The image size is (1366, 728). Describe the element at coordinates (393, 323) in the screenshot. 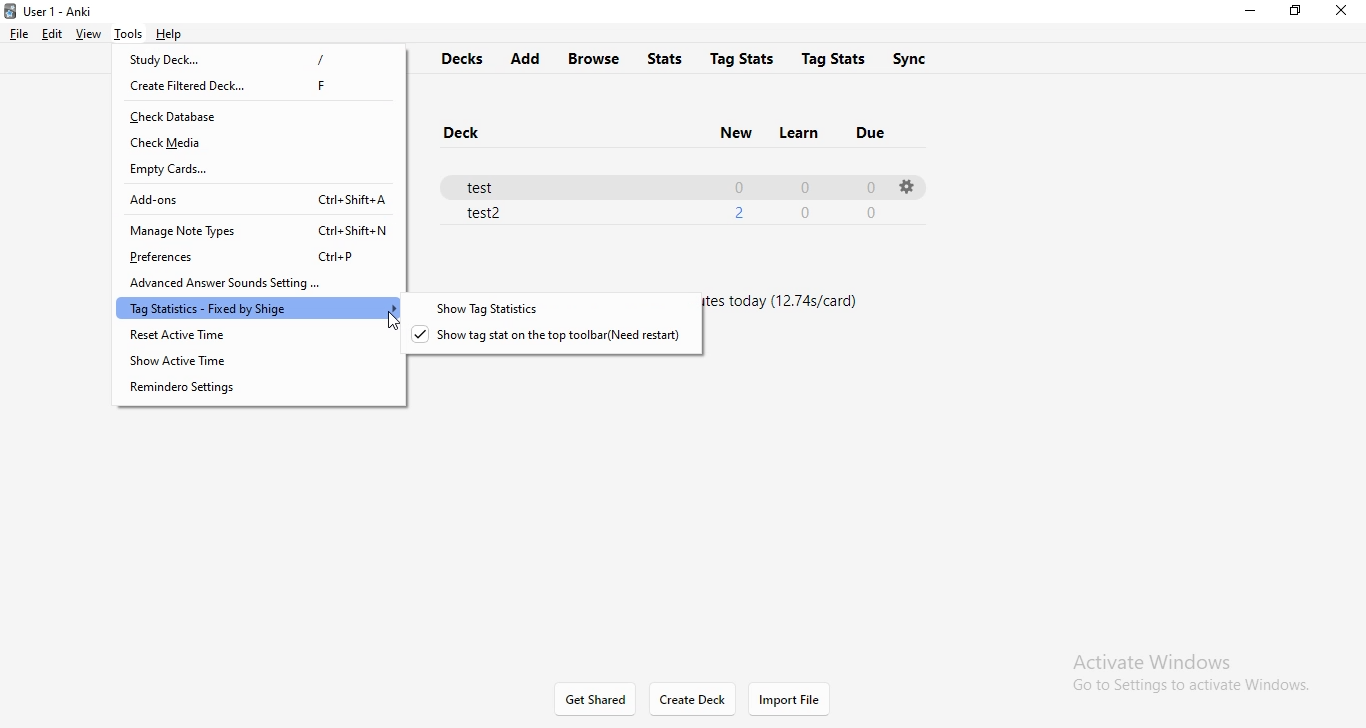

I see `cursor` at that location.